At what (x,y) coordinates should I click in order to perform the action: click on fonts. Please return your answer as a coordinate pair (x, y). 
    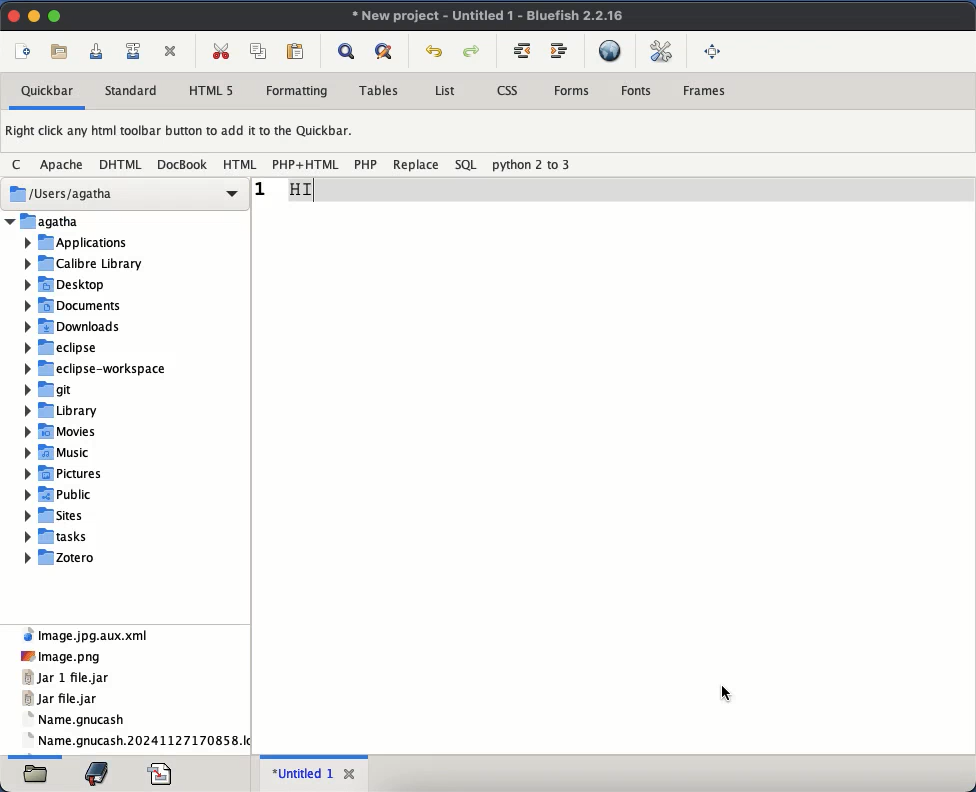
    Looking at the image, I should click on (638, 91).